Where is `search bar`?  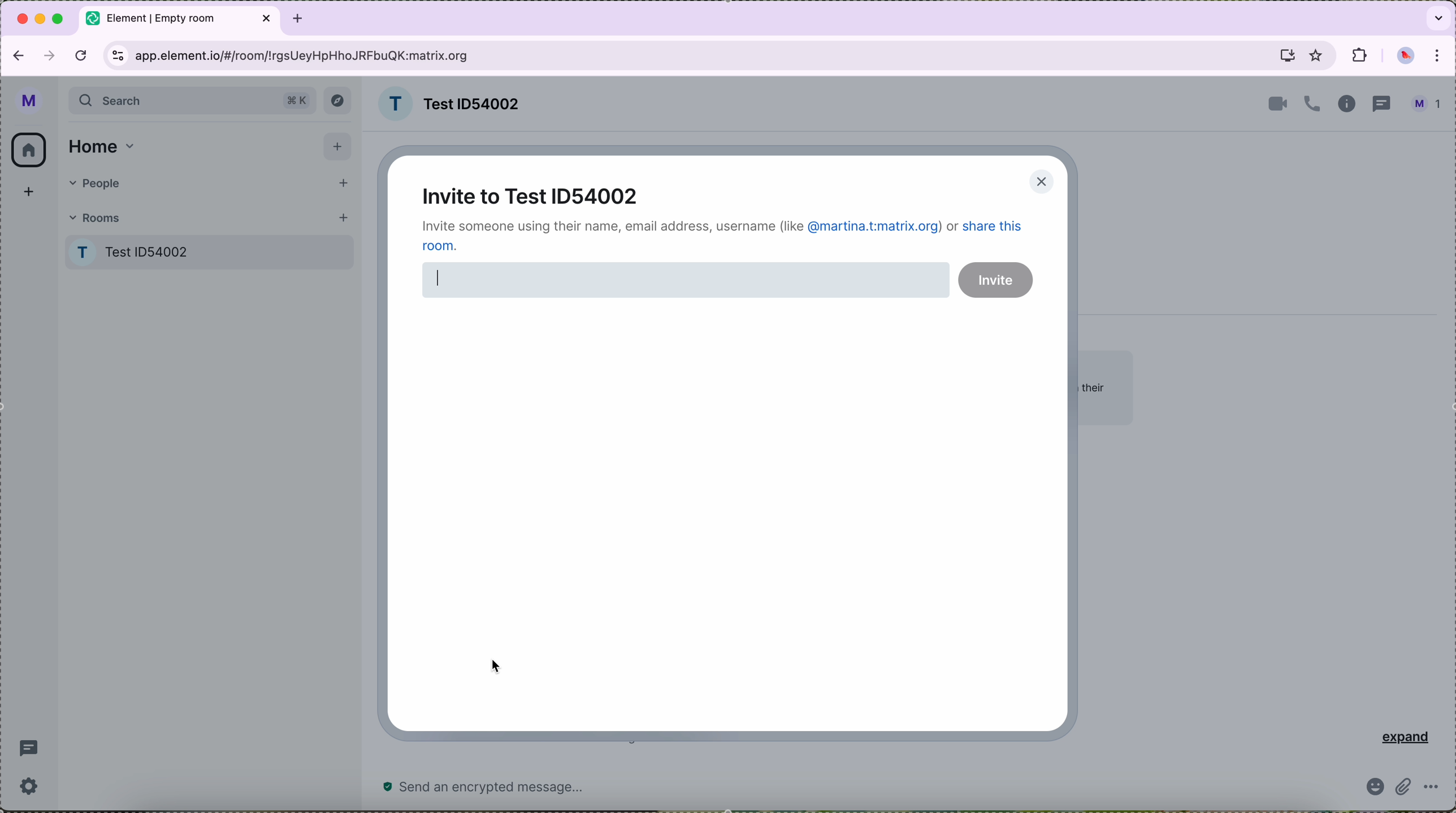 search bar is located at coordinates (192, 102).